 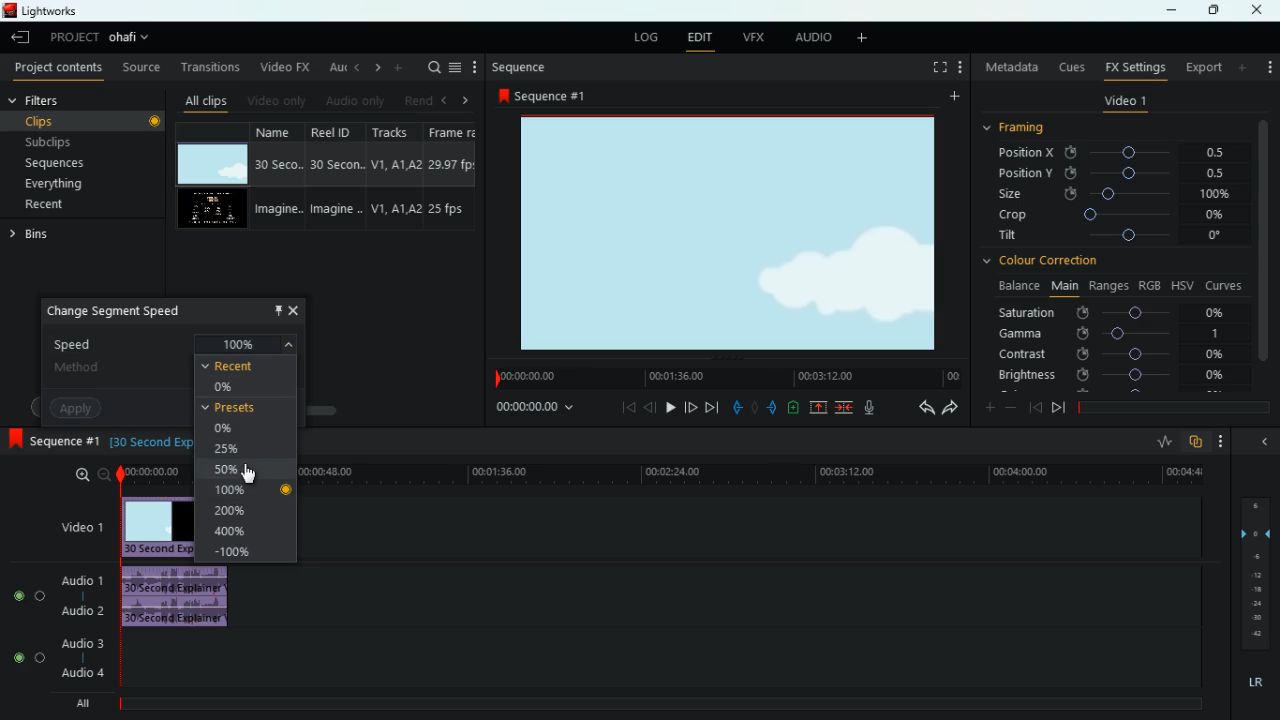 I want to click on au, so click(x=331, y=65).